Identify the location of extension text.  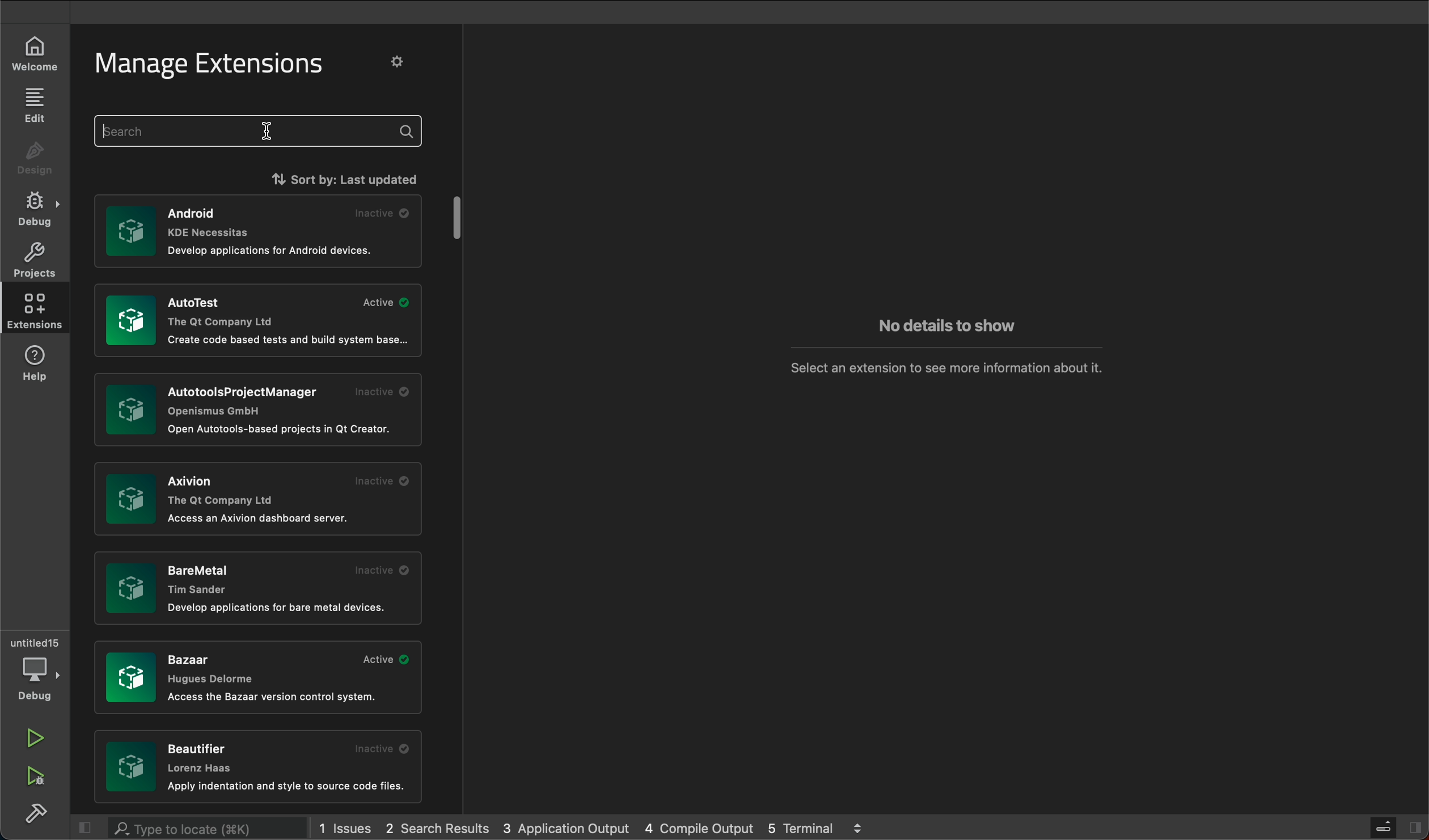
(284, 430).